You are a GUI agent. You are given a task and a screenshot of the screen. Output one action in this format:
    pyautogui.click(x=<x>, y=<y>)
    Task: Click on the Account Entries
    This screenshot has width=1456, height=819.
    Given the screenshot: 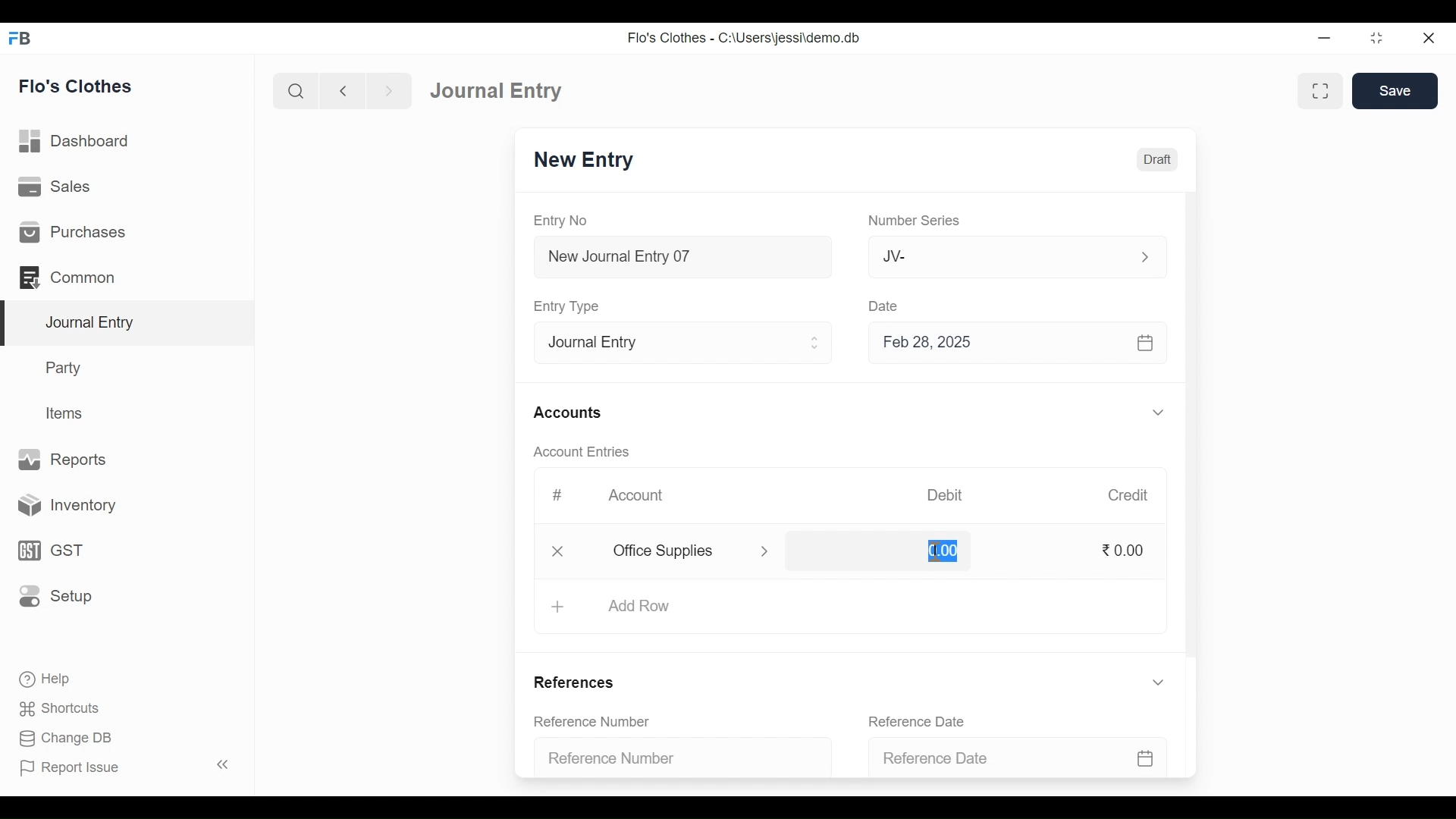 What is the action you would take?
    pyautogui.click(x=581, y=451)
    